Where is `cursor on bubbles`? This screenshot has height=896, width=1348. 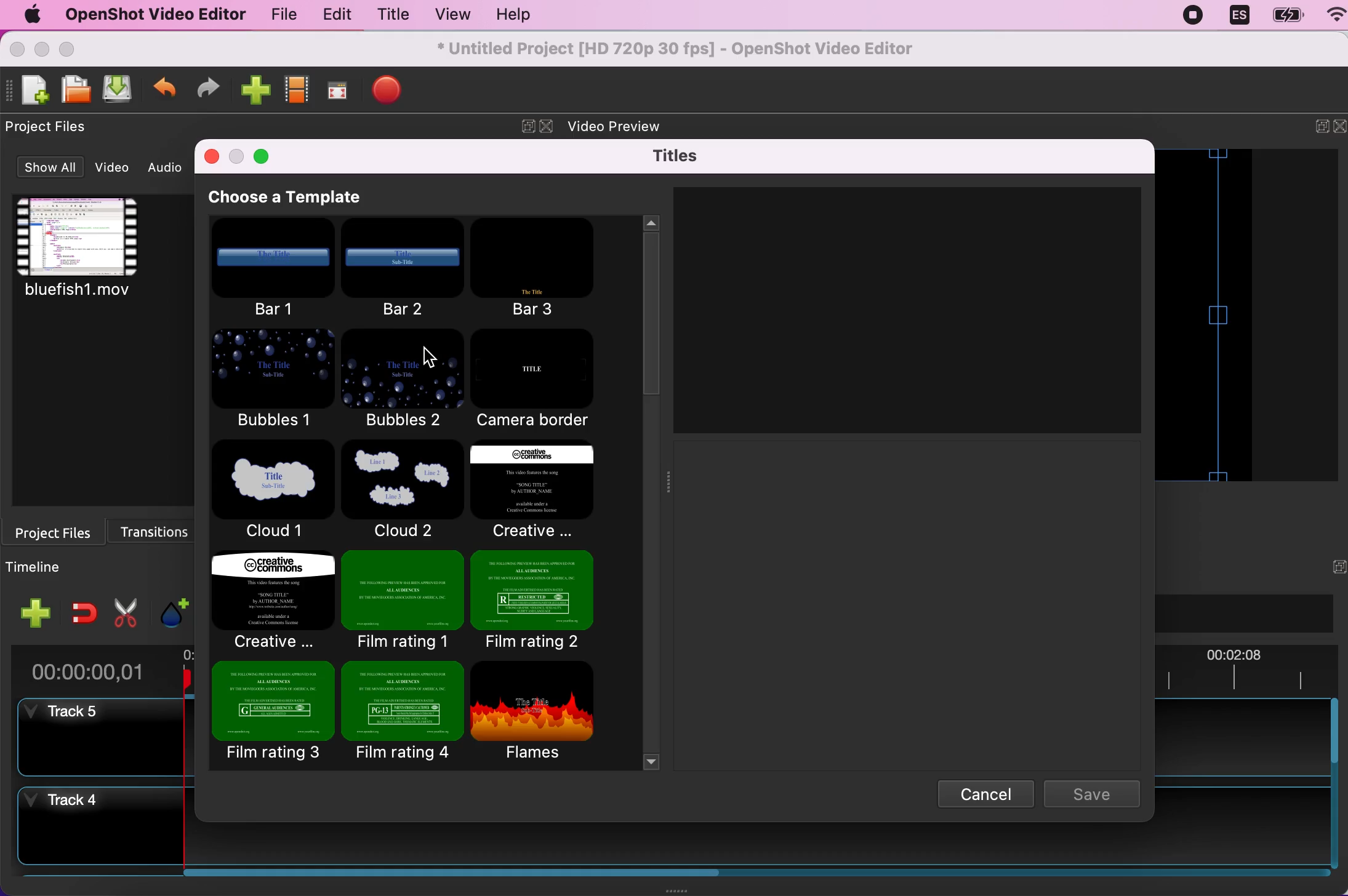
cursor on bubbles is located at coordinates (431, 358).